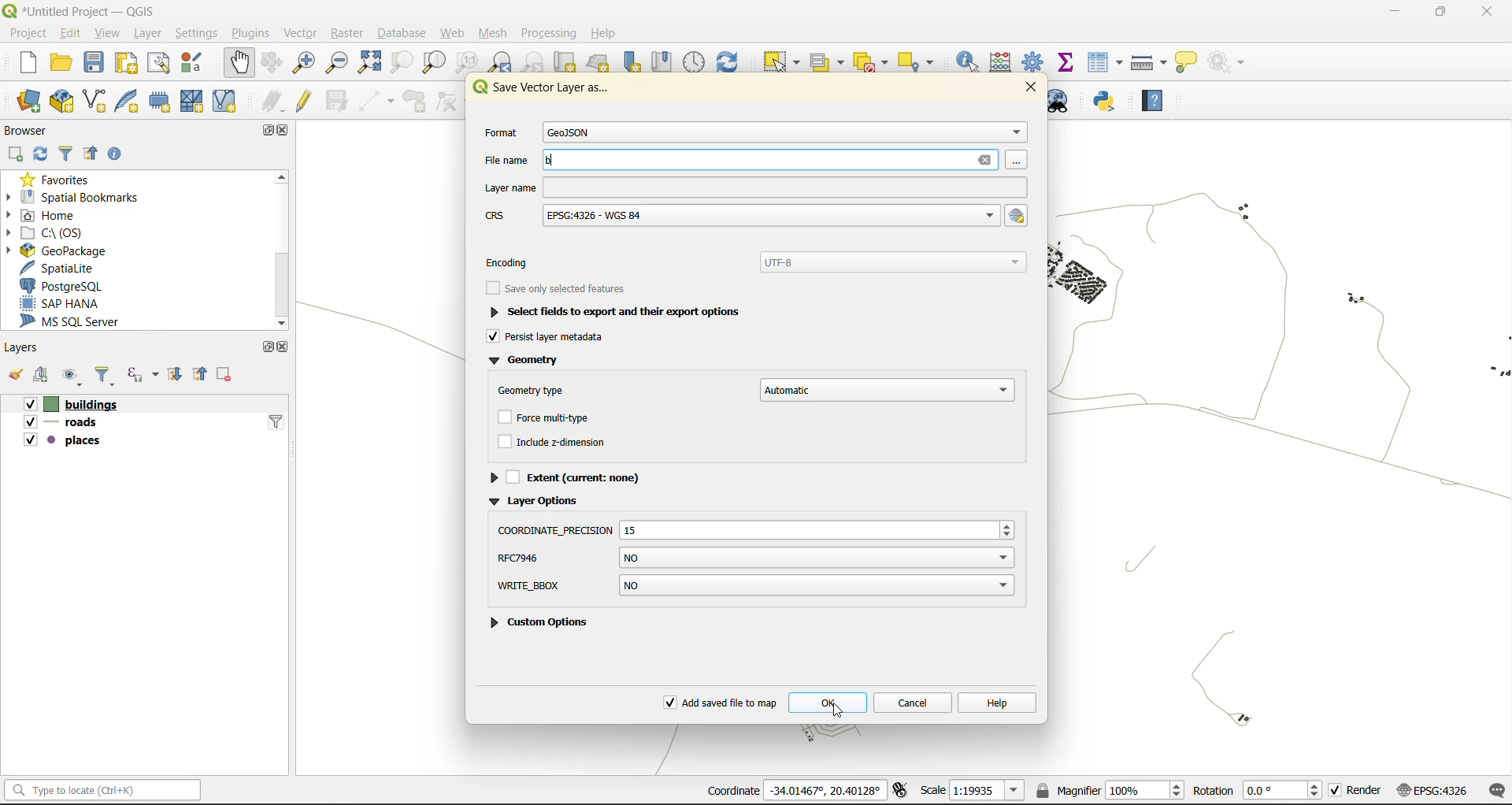 This screenshot has width=1512, height=805. Describe the element at coordinates (760, 261) in the screenshot. I see `encoding` at that location.